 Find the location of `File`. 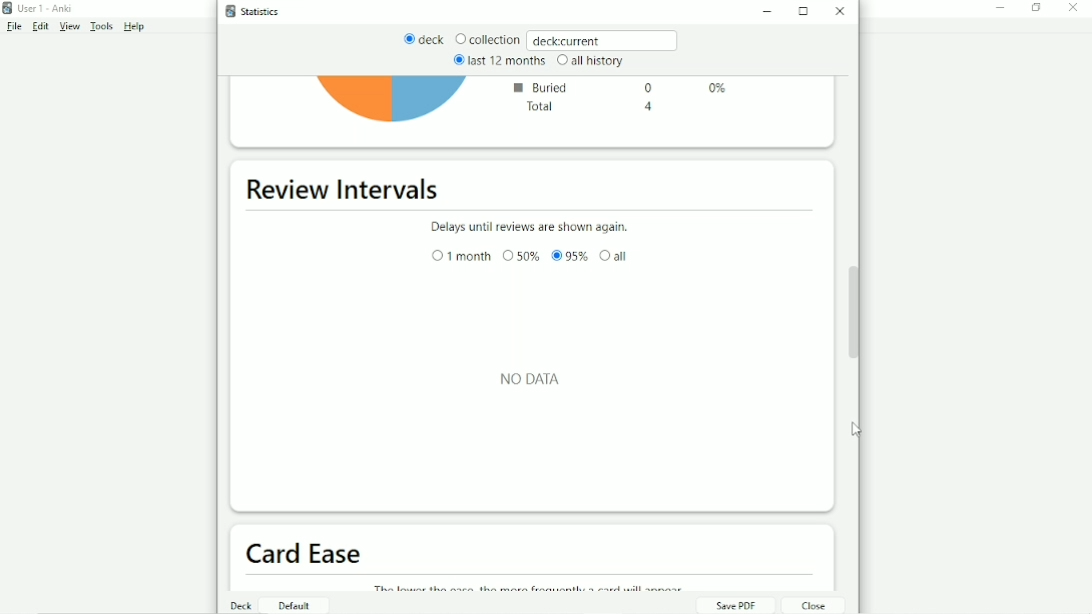

File is located at coordinates (13, 27).